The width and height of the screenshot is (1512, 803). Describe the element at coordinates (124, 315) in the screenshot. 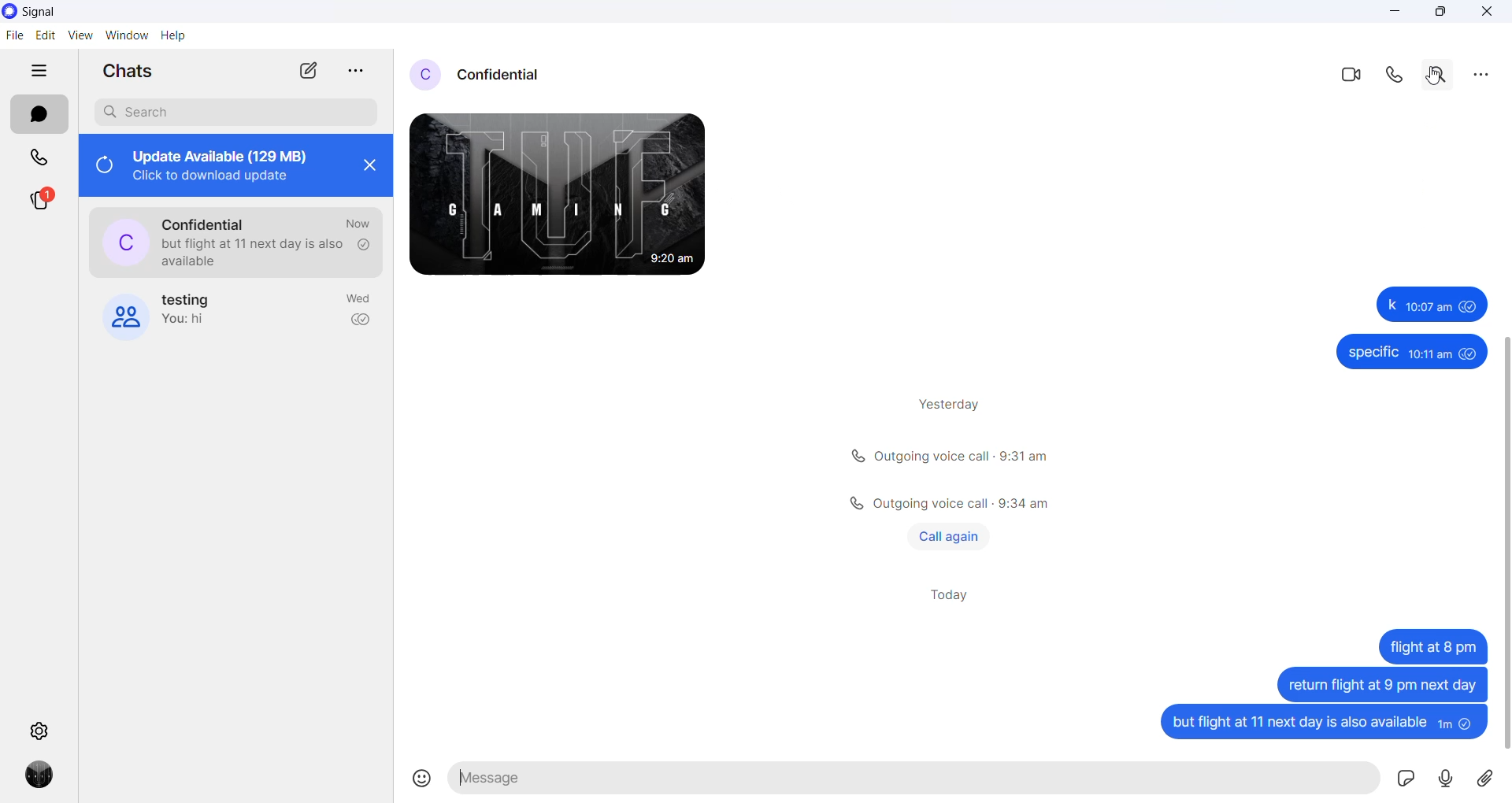

I see `group cover photo` at that location.